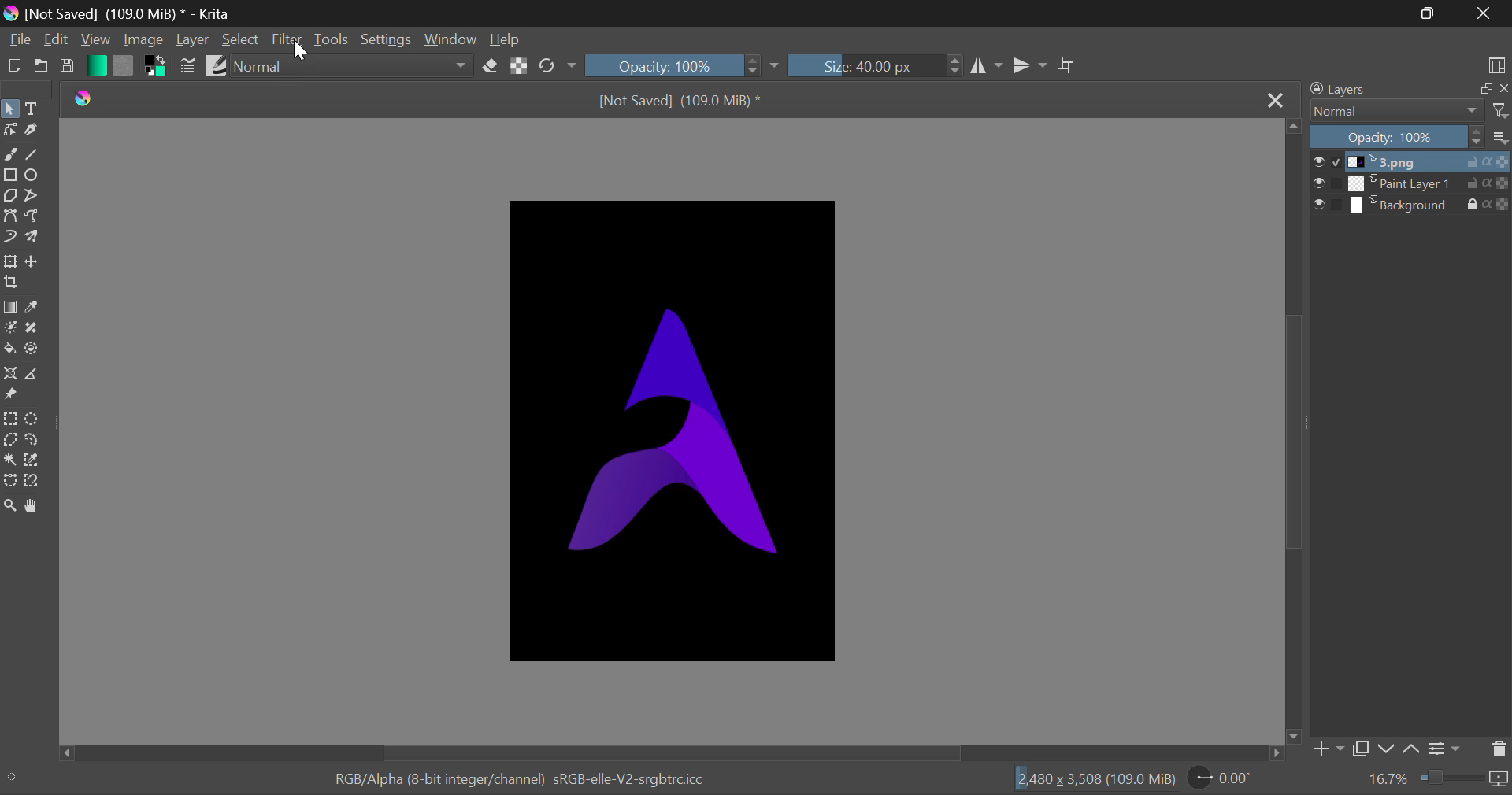 The image size is (1512, 795). I want to click on Colors in Use, so click(153, 68).